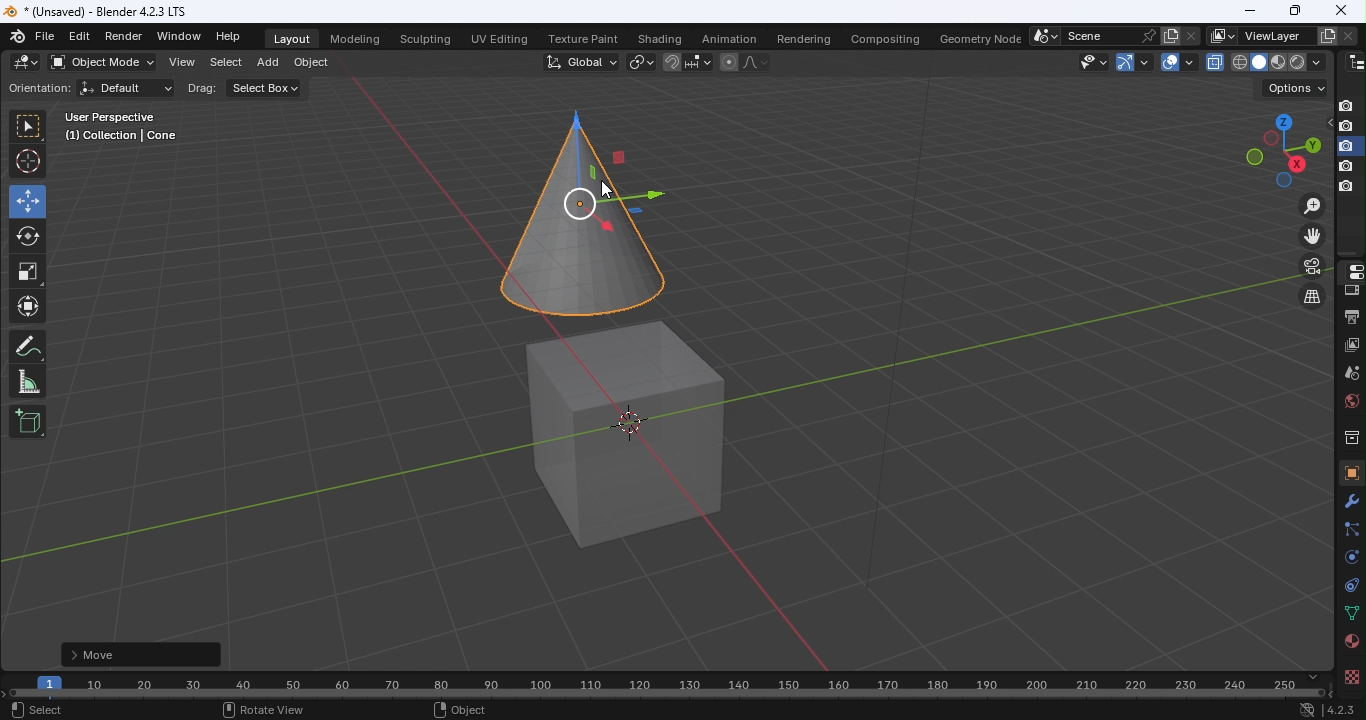  I want to click on Cursor, so click(29, 162).